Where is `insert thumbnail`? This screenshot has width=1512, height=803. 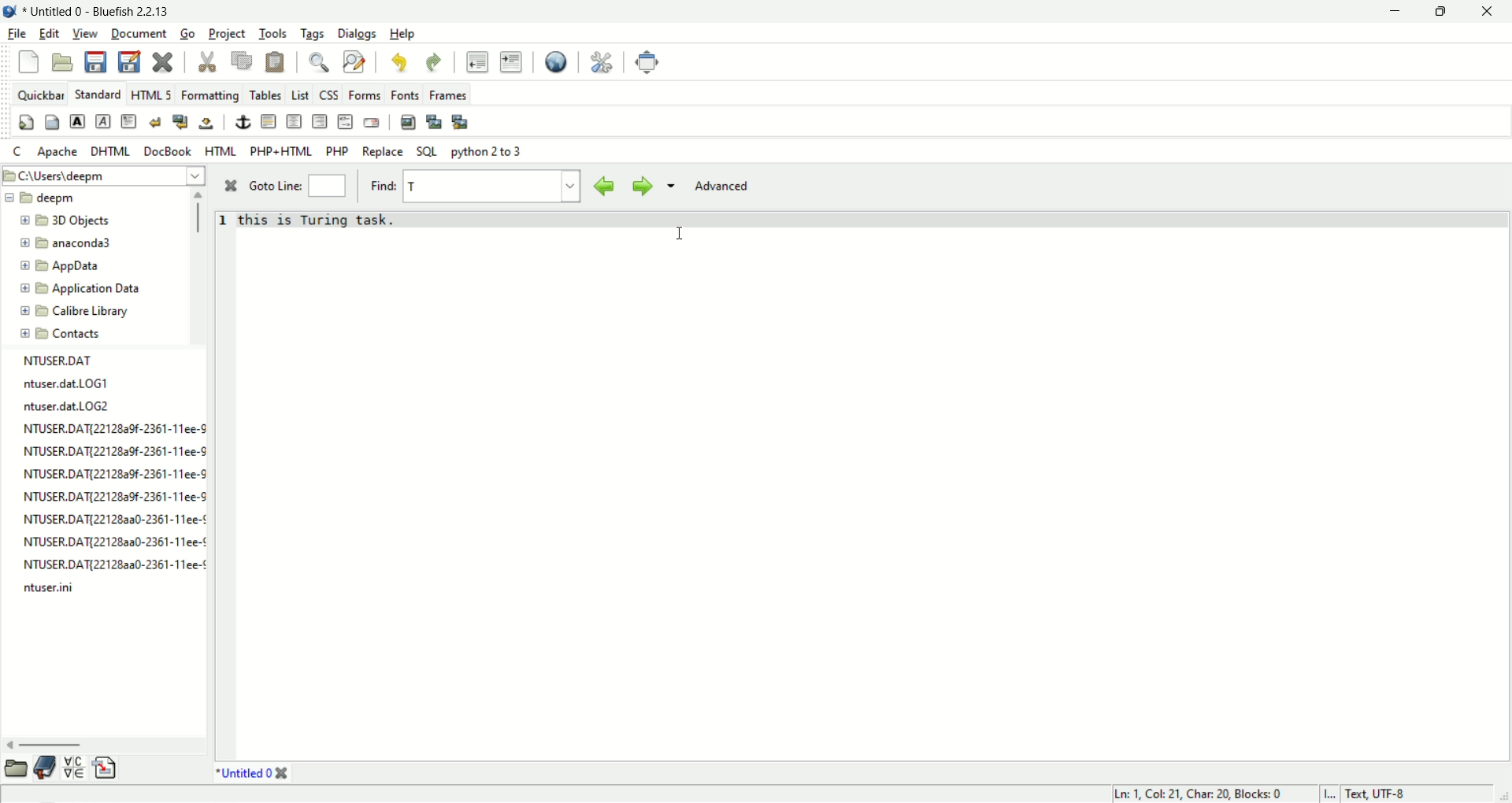 insert thumbnail is located at coordinates (435, 121).